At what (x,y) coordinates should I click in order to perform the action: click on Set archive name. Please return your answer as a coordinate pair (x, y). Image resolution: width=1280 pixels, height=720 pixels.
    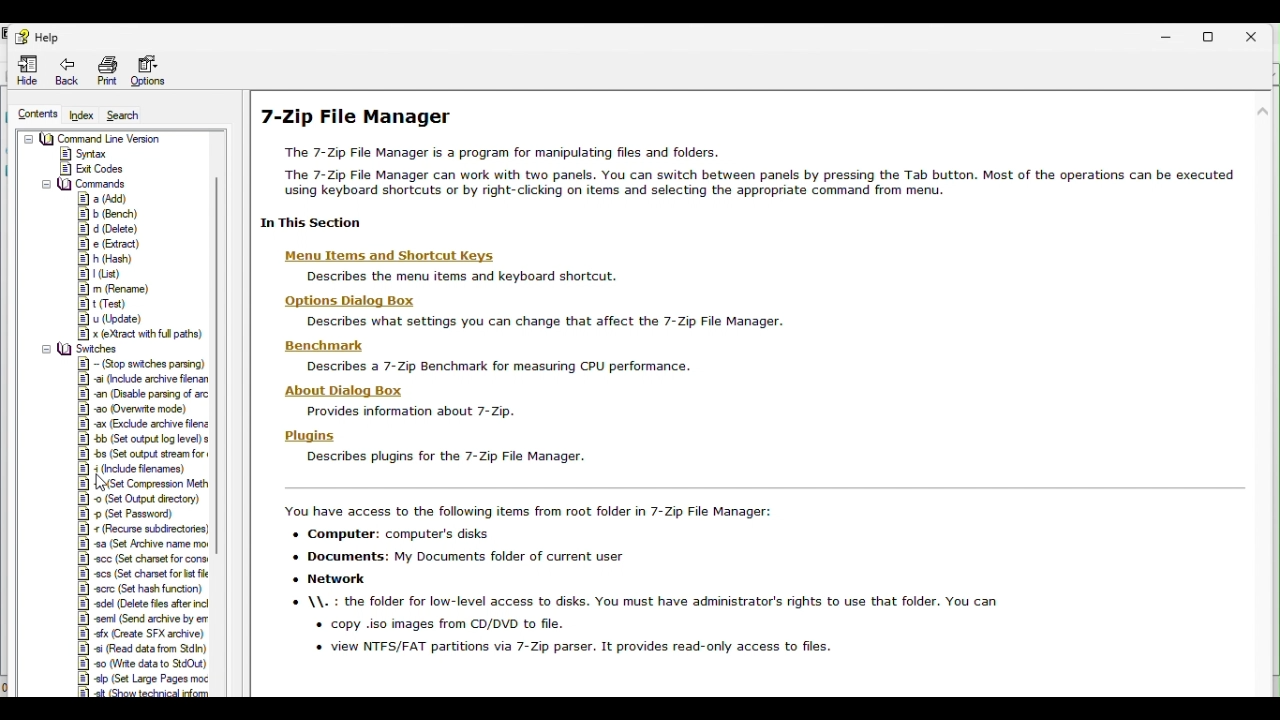
    Looking at the image, I should click on (148, 545).